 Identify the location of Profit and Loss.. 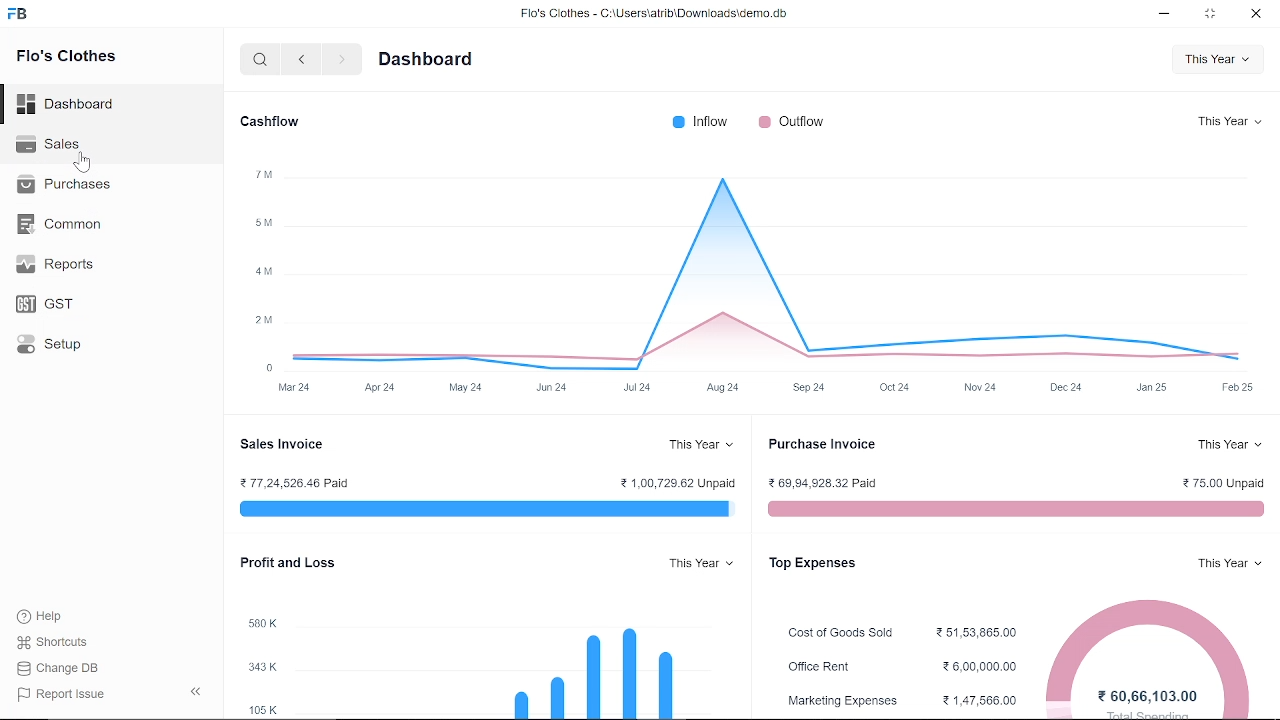
(283, 562).